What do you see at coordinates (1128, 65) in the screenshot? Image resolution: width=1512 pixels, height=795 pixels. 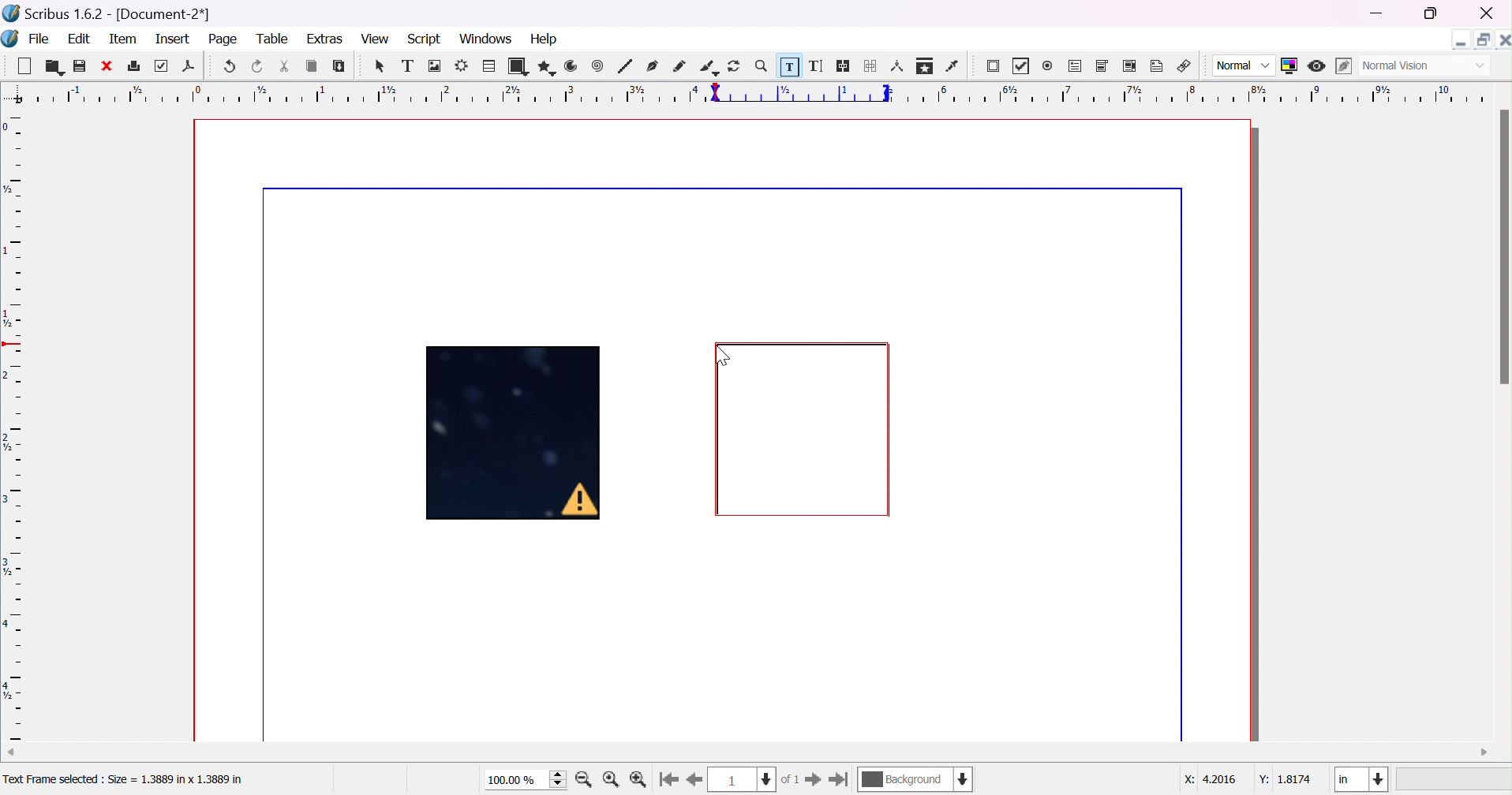 I see `PDF list box` at bounding box center [1128, 65].